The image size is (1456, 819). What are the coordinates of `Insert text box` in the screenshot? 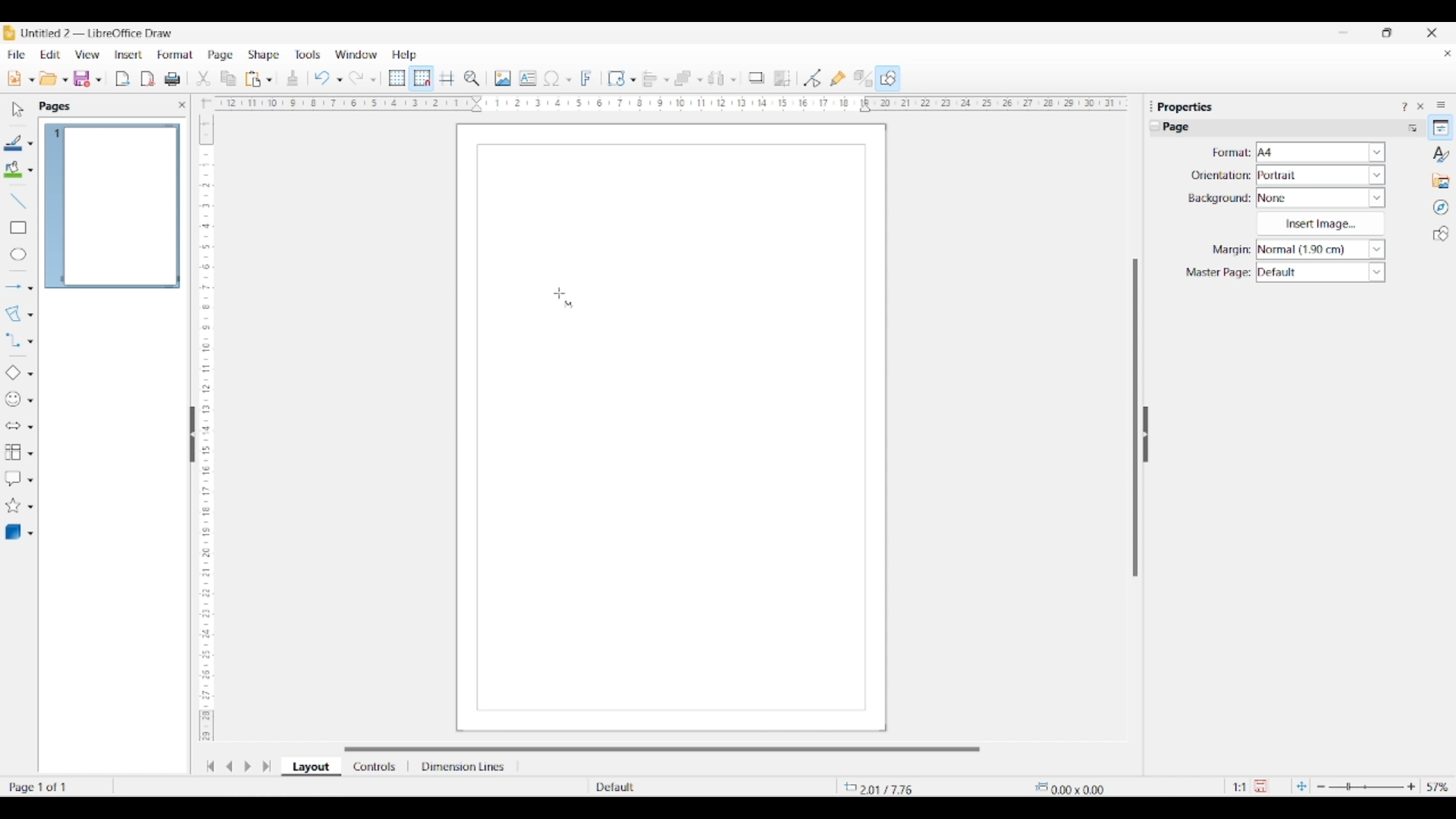 It's located at (528, 78).